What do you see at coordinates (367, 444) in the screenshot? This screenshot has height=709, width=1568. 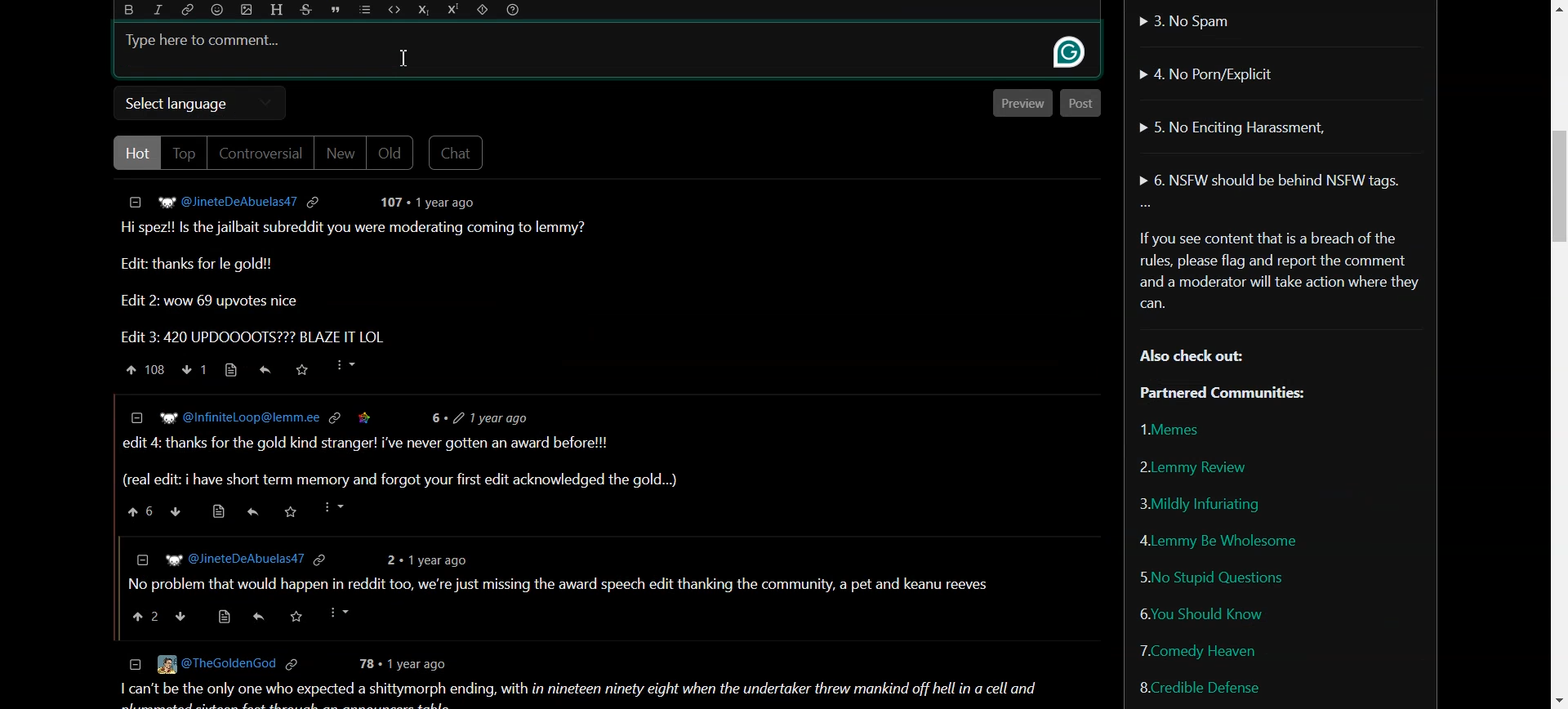 I see `| edit 4: thanks for the gold kind stranger! i've never gotten an award before!!!` at bounding box center [367, 444].